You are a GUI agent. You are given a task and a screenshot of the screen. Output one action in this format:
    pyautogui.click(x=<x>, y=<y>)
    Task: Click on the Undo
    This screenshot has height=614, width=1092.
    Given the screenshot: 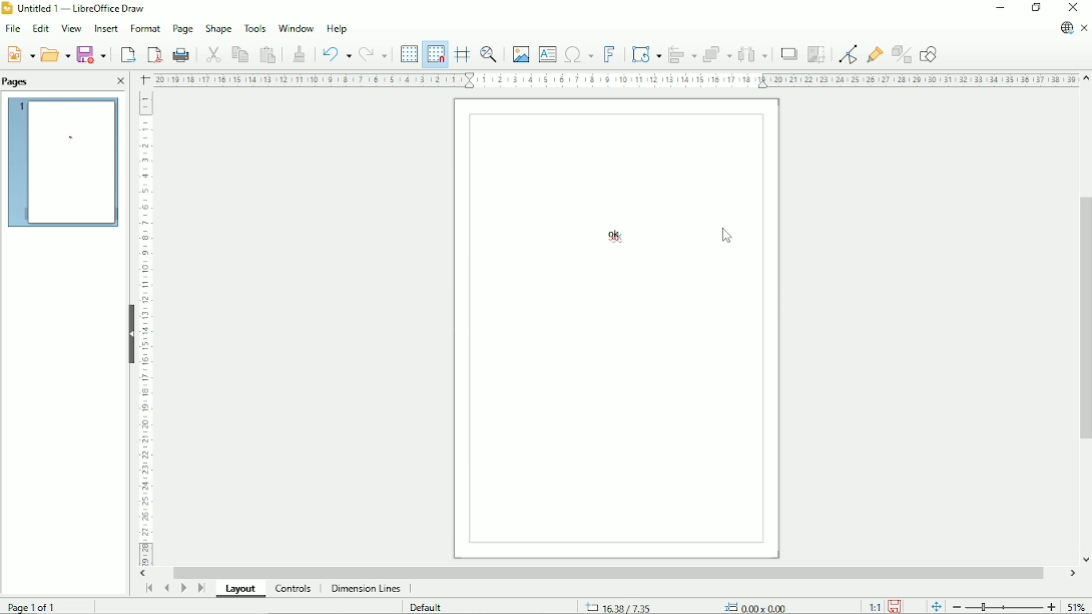 What is the action you would take?
    pyautogui.click(x=334, y=54)
    